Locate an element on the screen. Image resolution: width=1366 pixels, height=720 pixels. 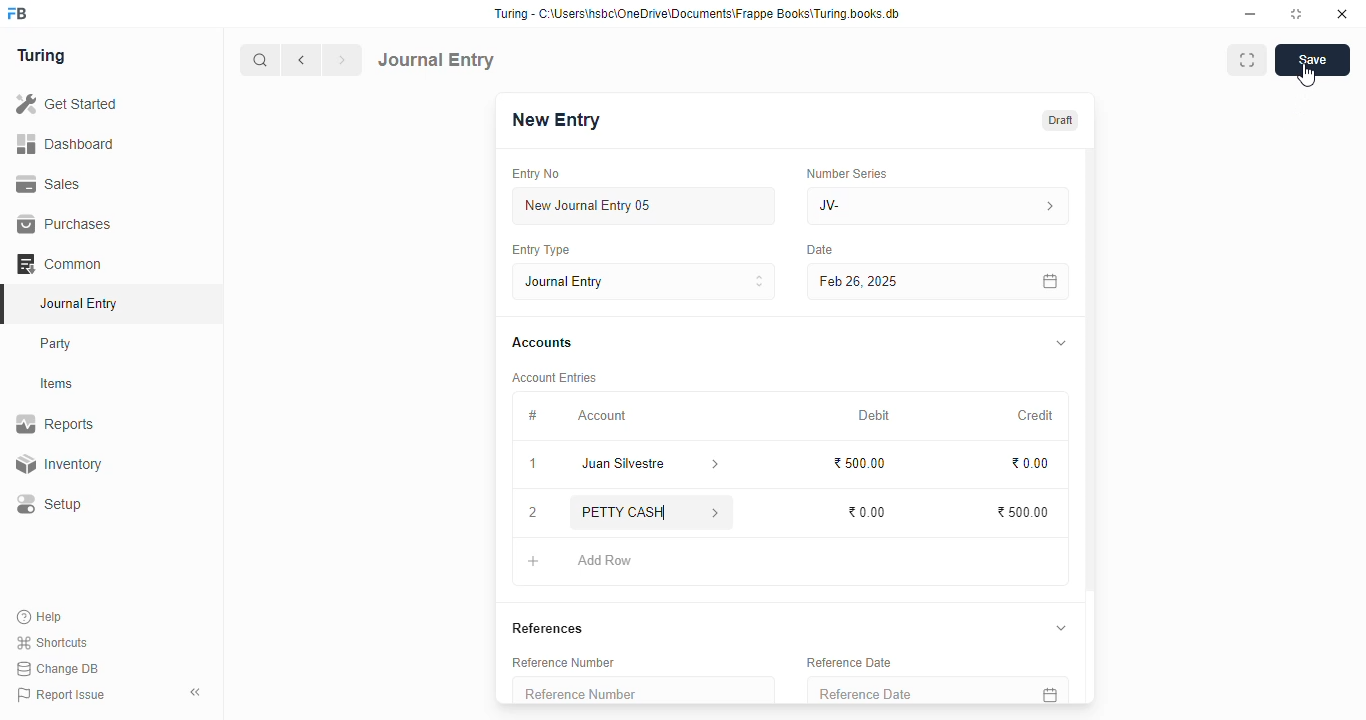
account information is located at coordinates (713, 512).